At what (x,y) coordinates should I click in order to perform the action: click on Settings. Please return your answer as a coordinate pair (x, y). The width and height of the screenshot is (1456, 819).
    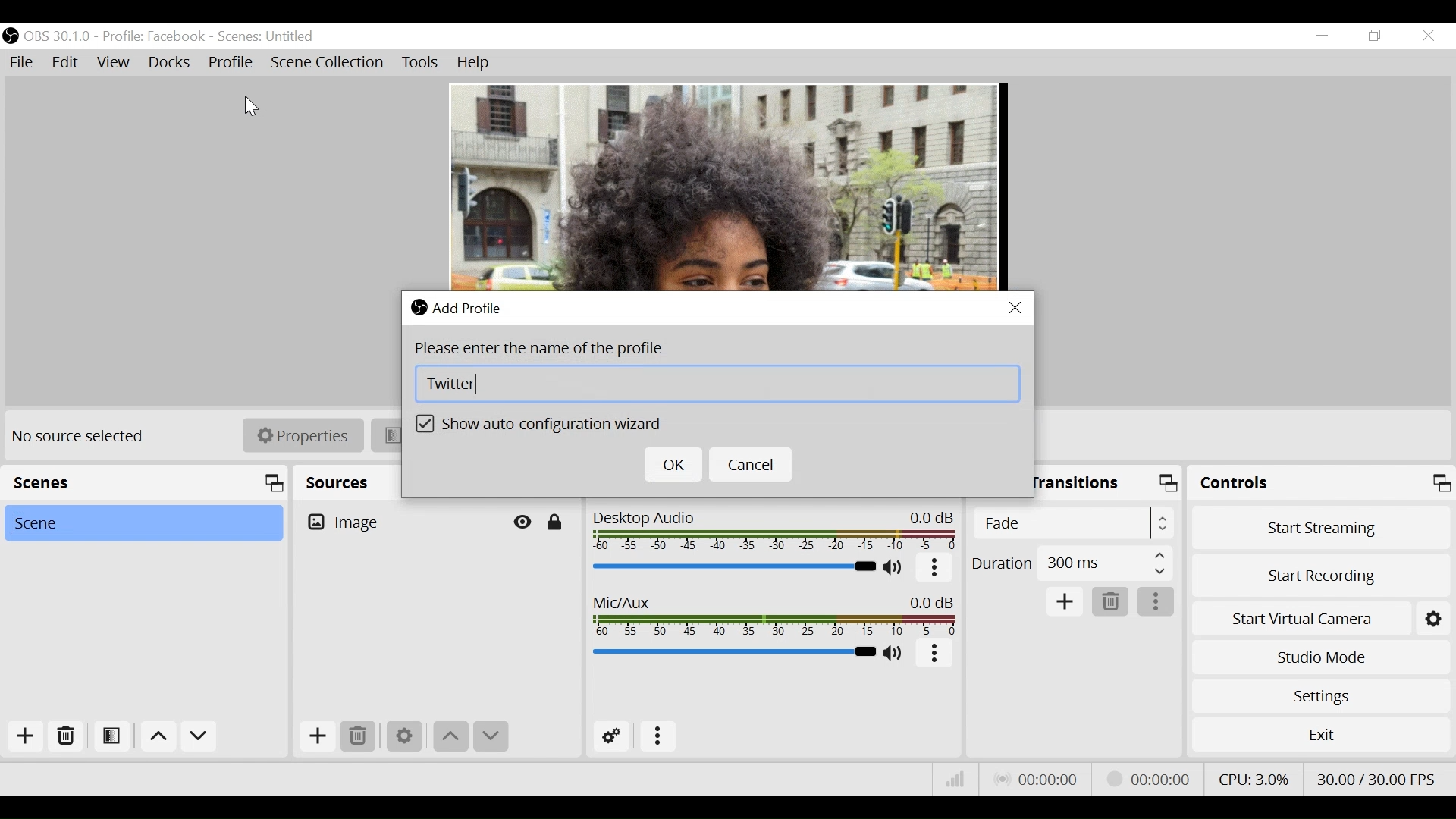
    Looking at the image, I should click on (403, 737).